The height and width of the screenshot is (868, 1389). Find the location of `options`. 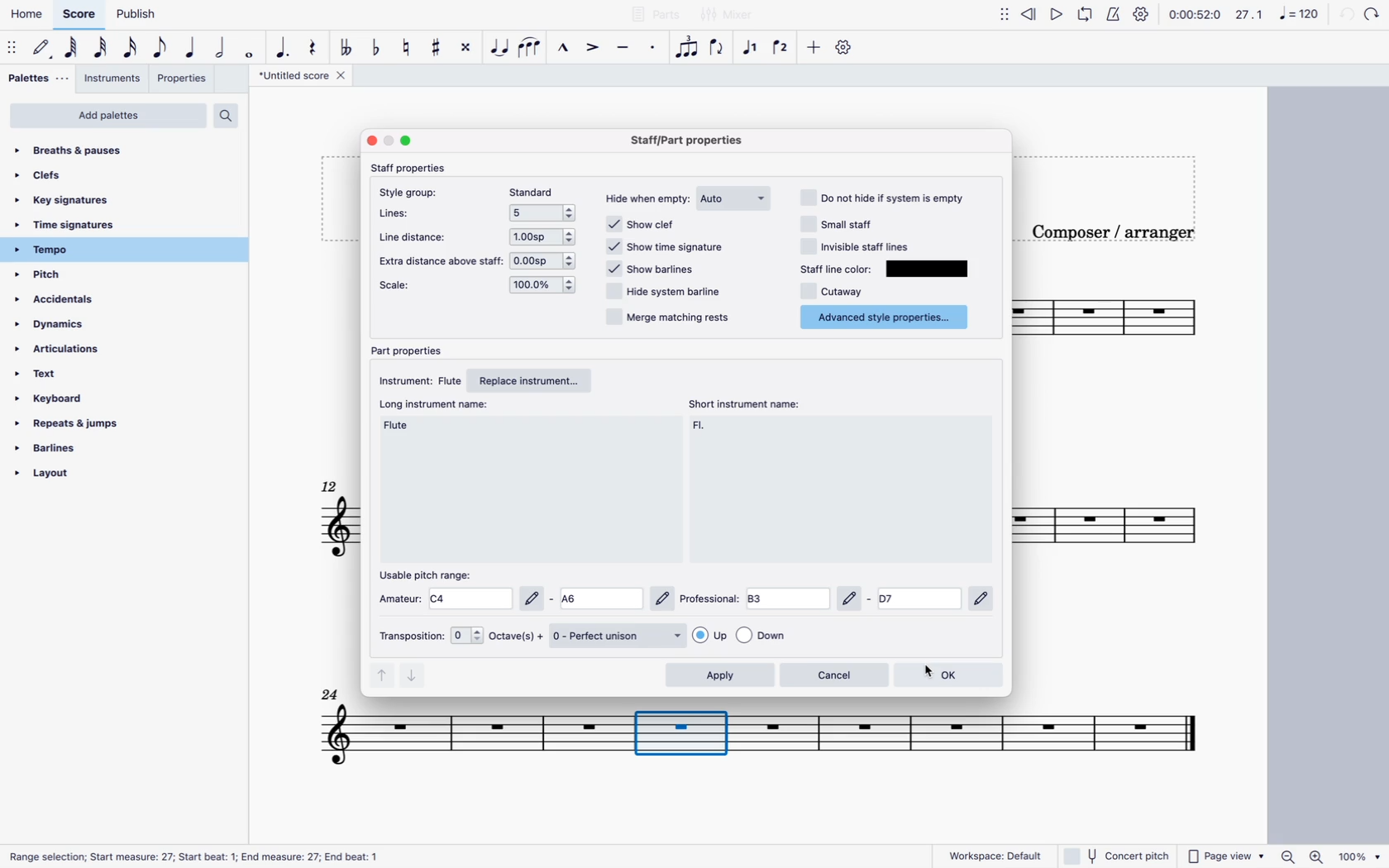

options is located at coordinates (543, 212).